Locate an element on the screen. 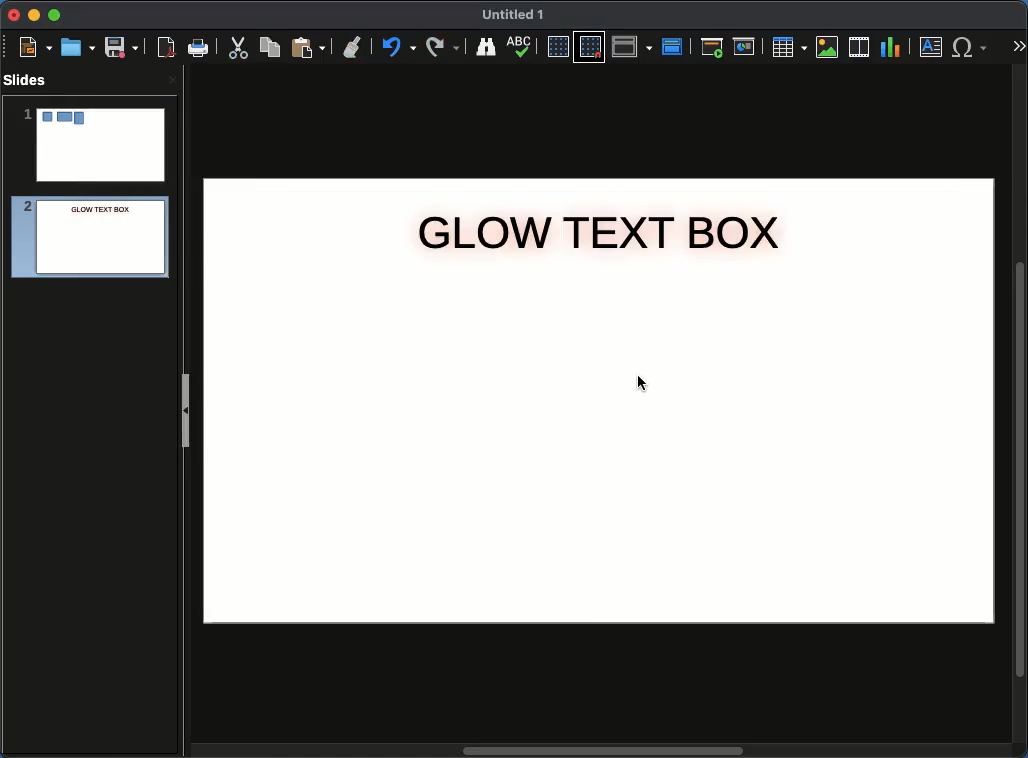  Maximize is located at coordinates (55, 17).